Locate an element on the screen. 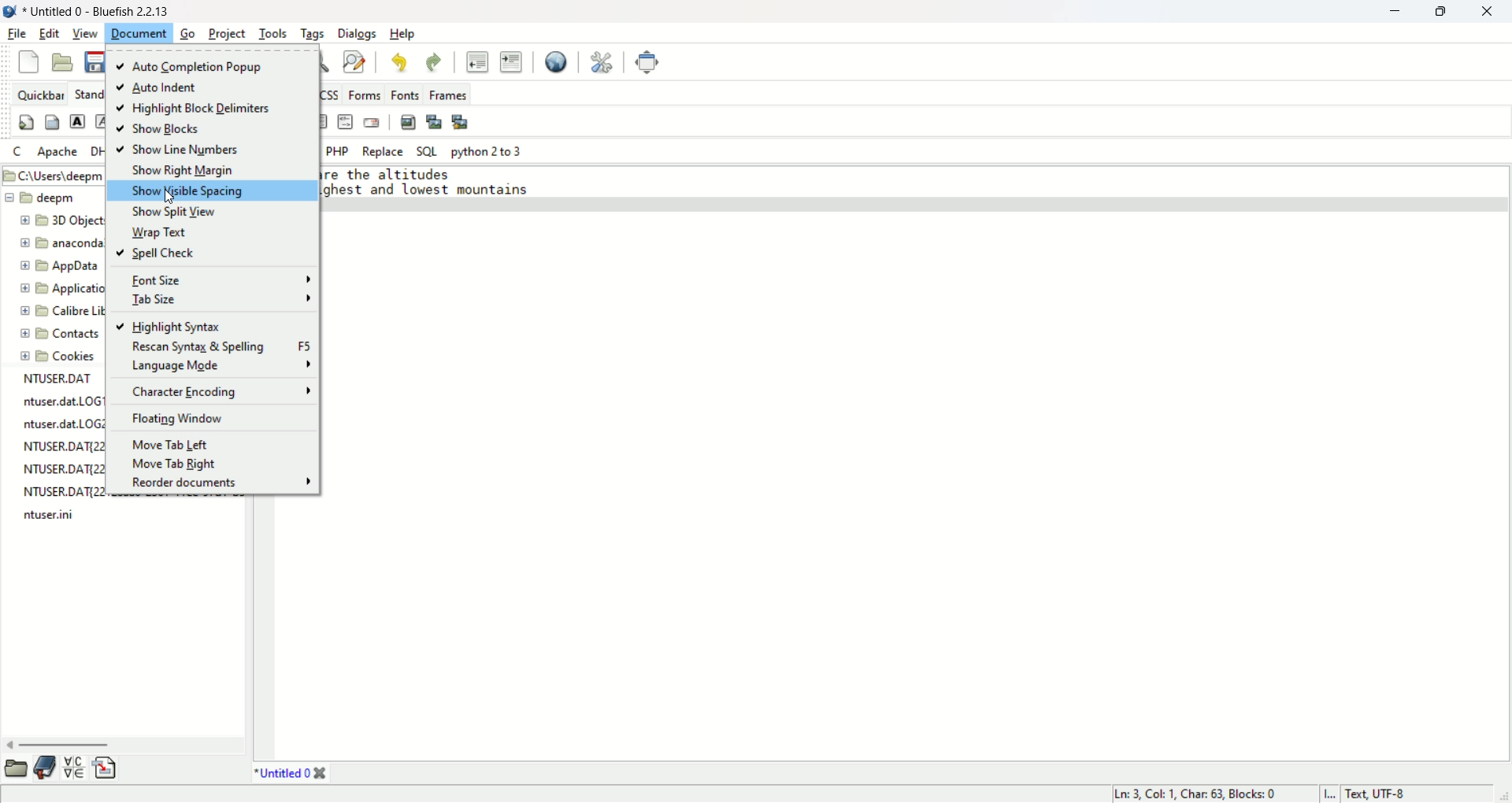  I is located at coordinates (1332, 794).